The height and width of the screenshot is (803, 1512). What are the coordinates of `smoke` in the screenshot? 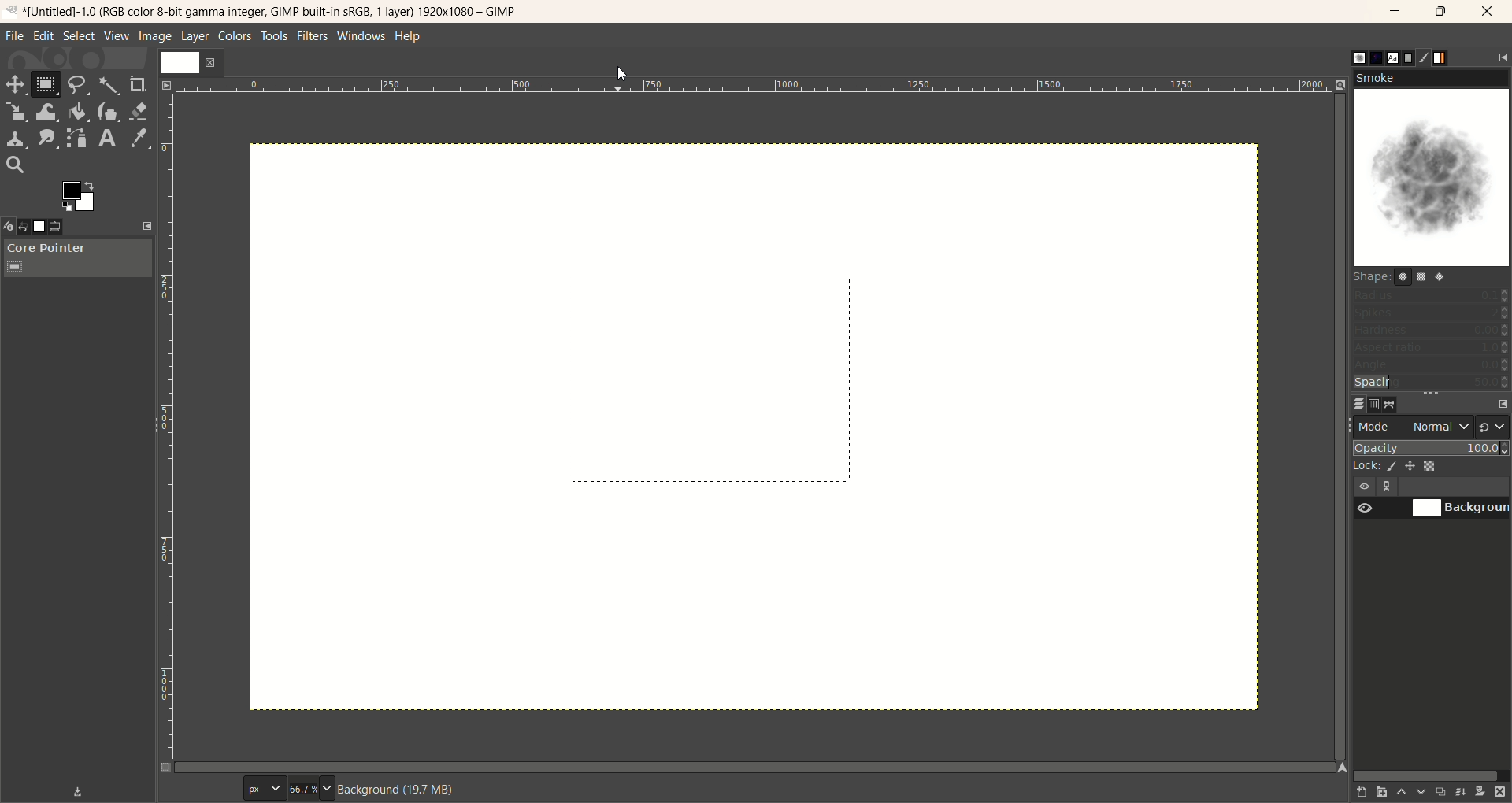 It's located at (1432, 169).